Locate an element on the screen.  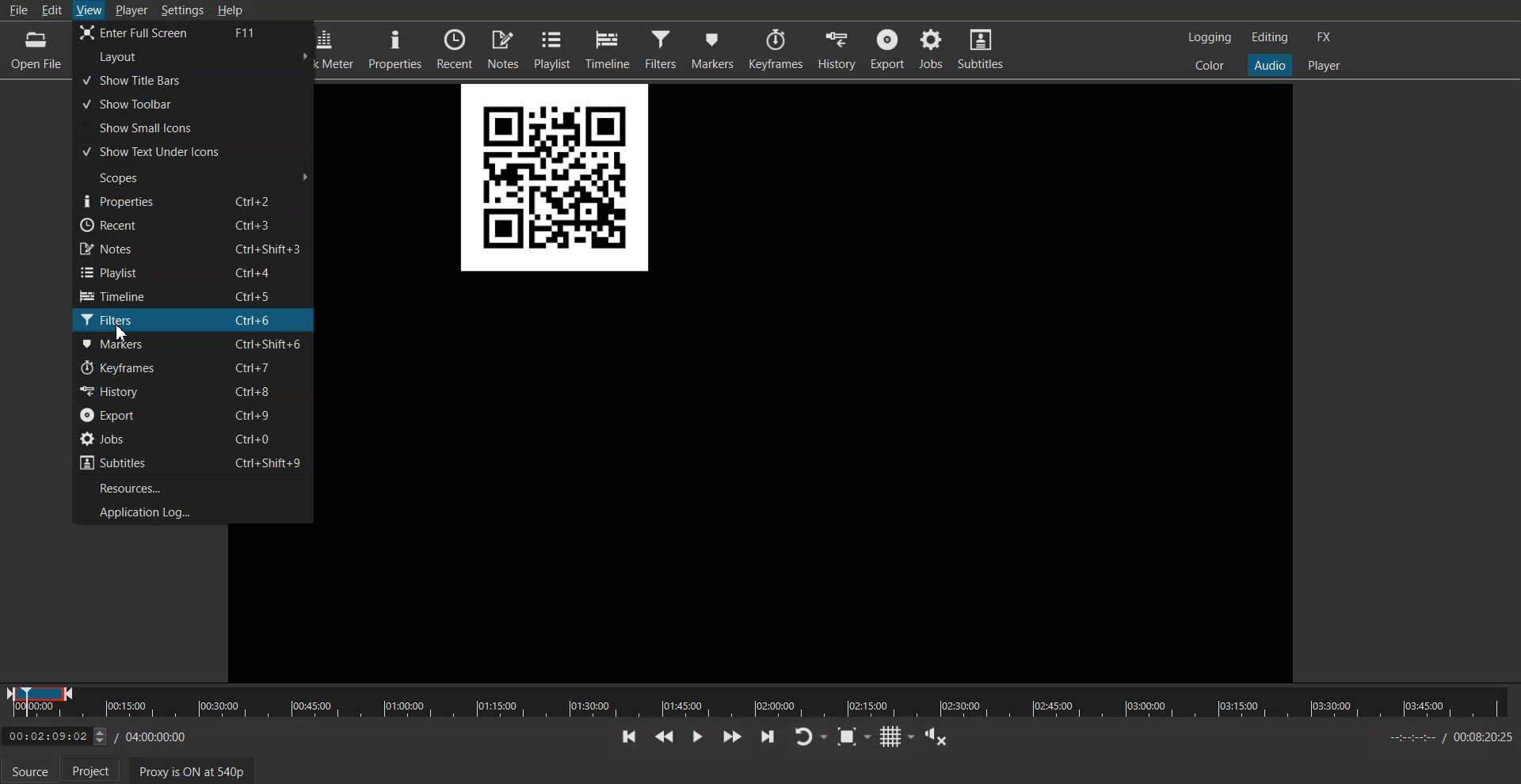
Switch to the Player one layout is located at coordinates (1325, 66).